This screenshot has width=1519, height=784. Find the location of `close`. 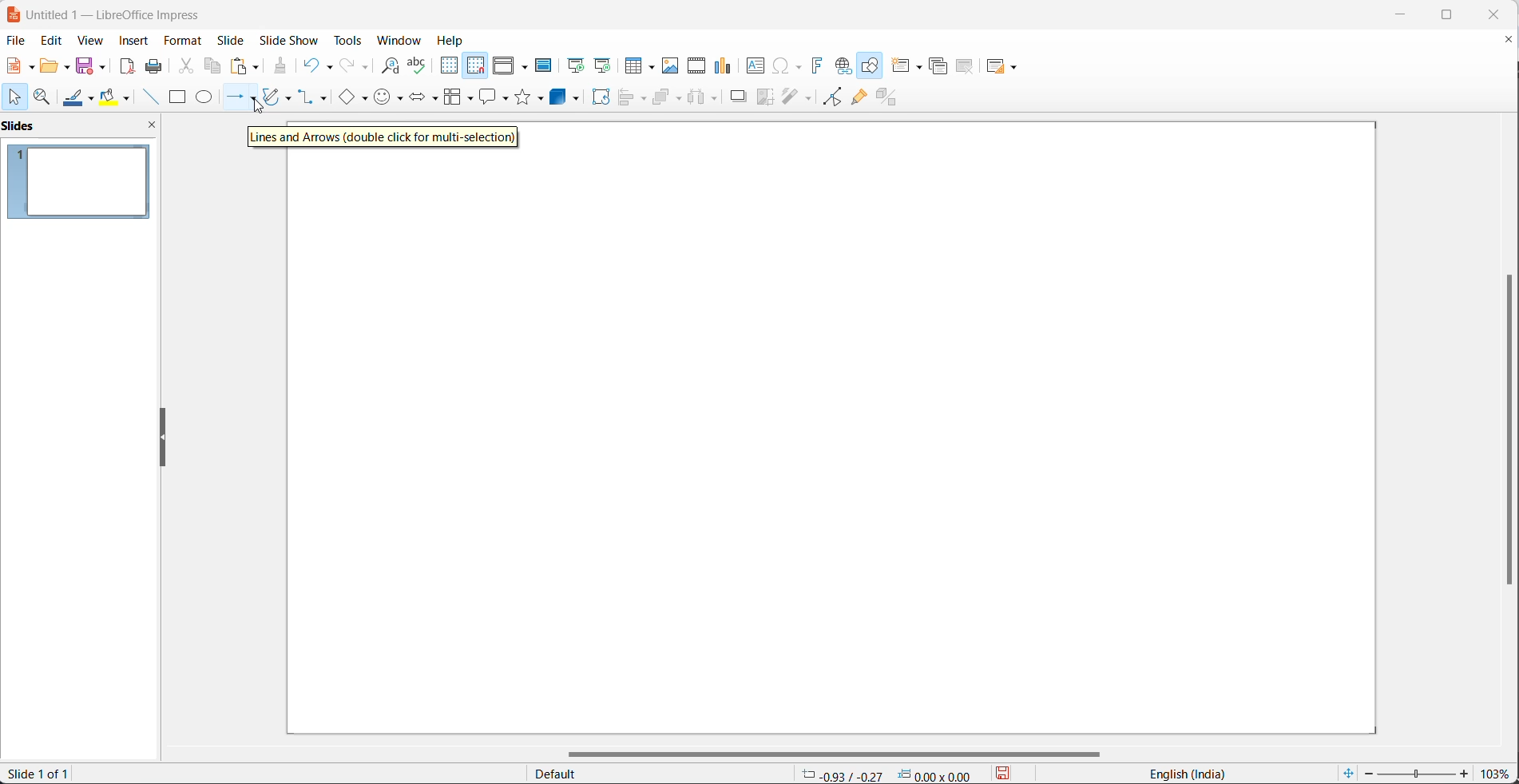

close is located at coordinates (1499, 14).